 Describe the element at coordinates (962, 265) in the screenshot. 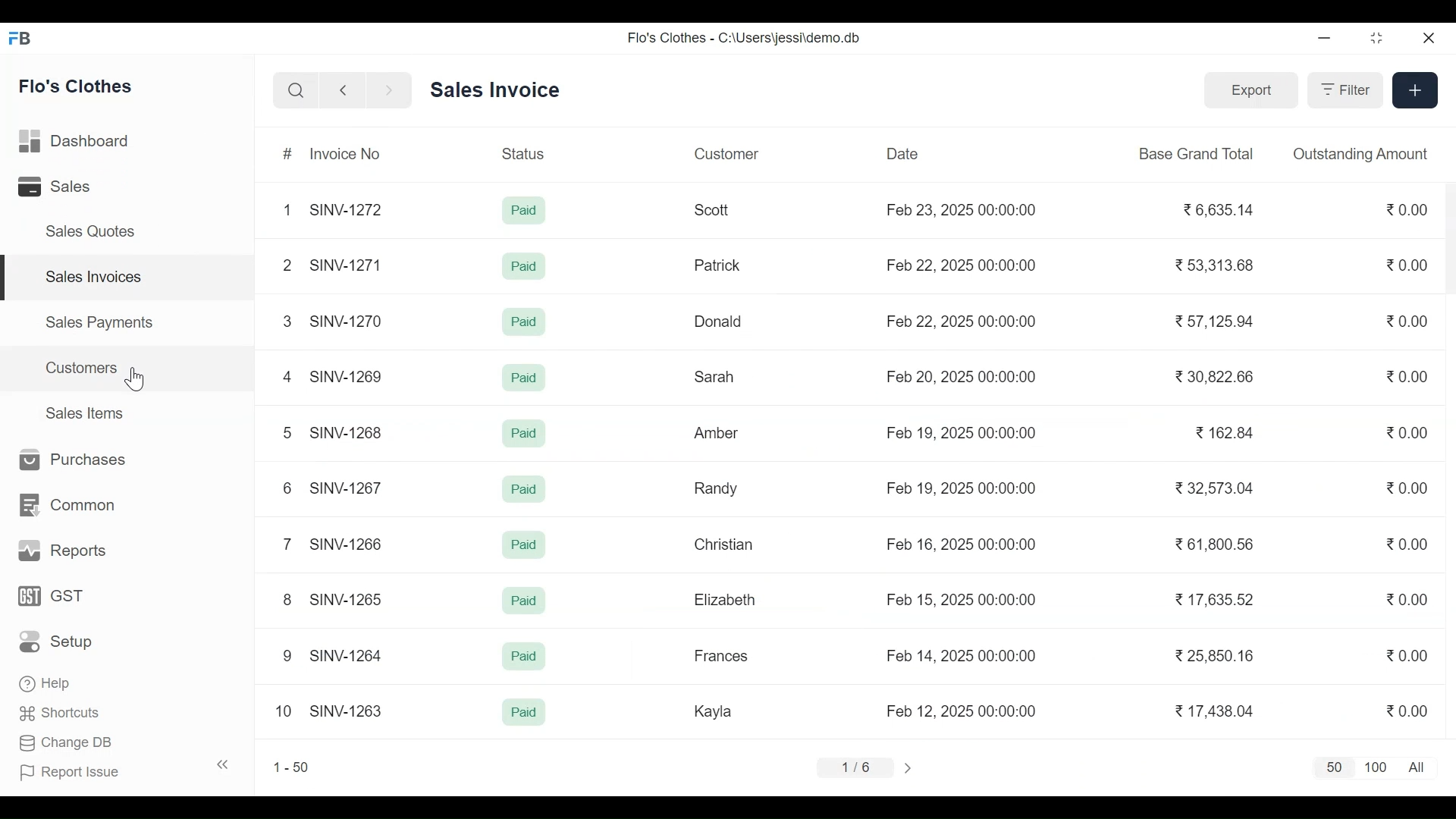

I see `Feb 22, 2025 00:00:00` at that location.